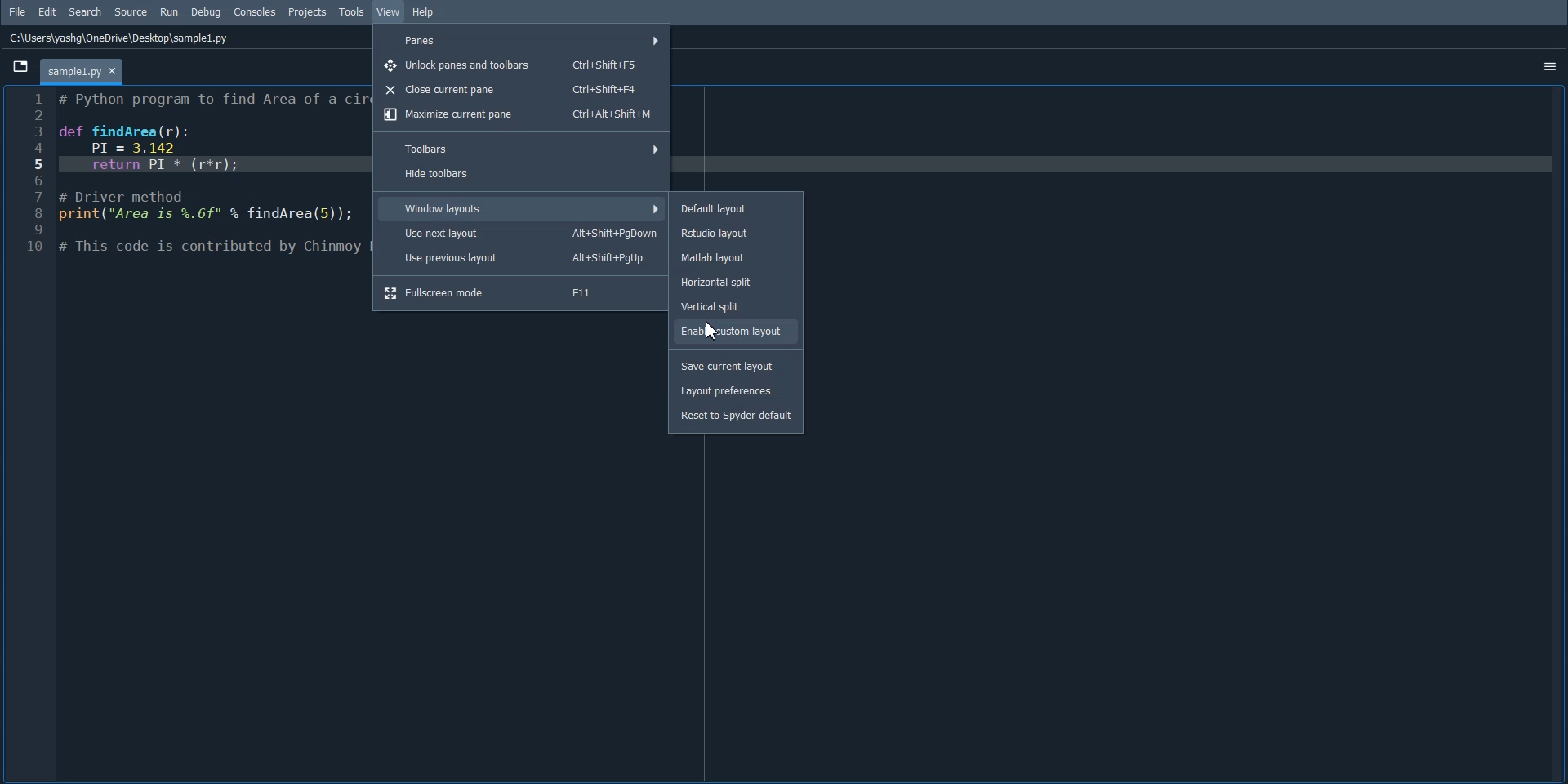 The image size is (1568, 784). What do you see at coordinates (715, 330) in the screenshot?
I see `Cursor` at bounding box center [715, 330].